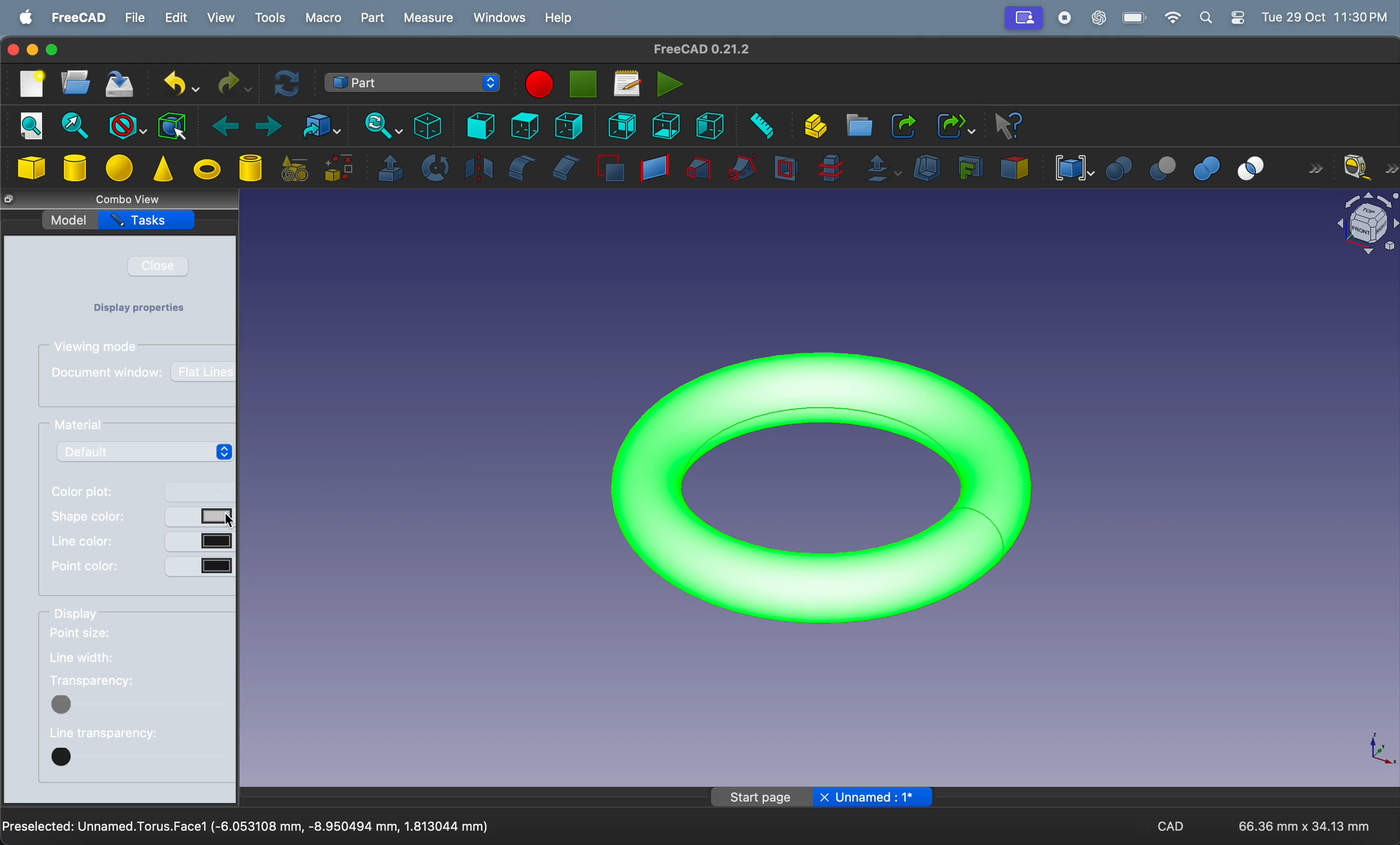  Describe the element at coordinates (1170, 825) in the screenshot. I see `CAD` at that location.